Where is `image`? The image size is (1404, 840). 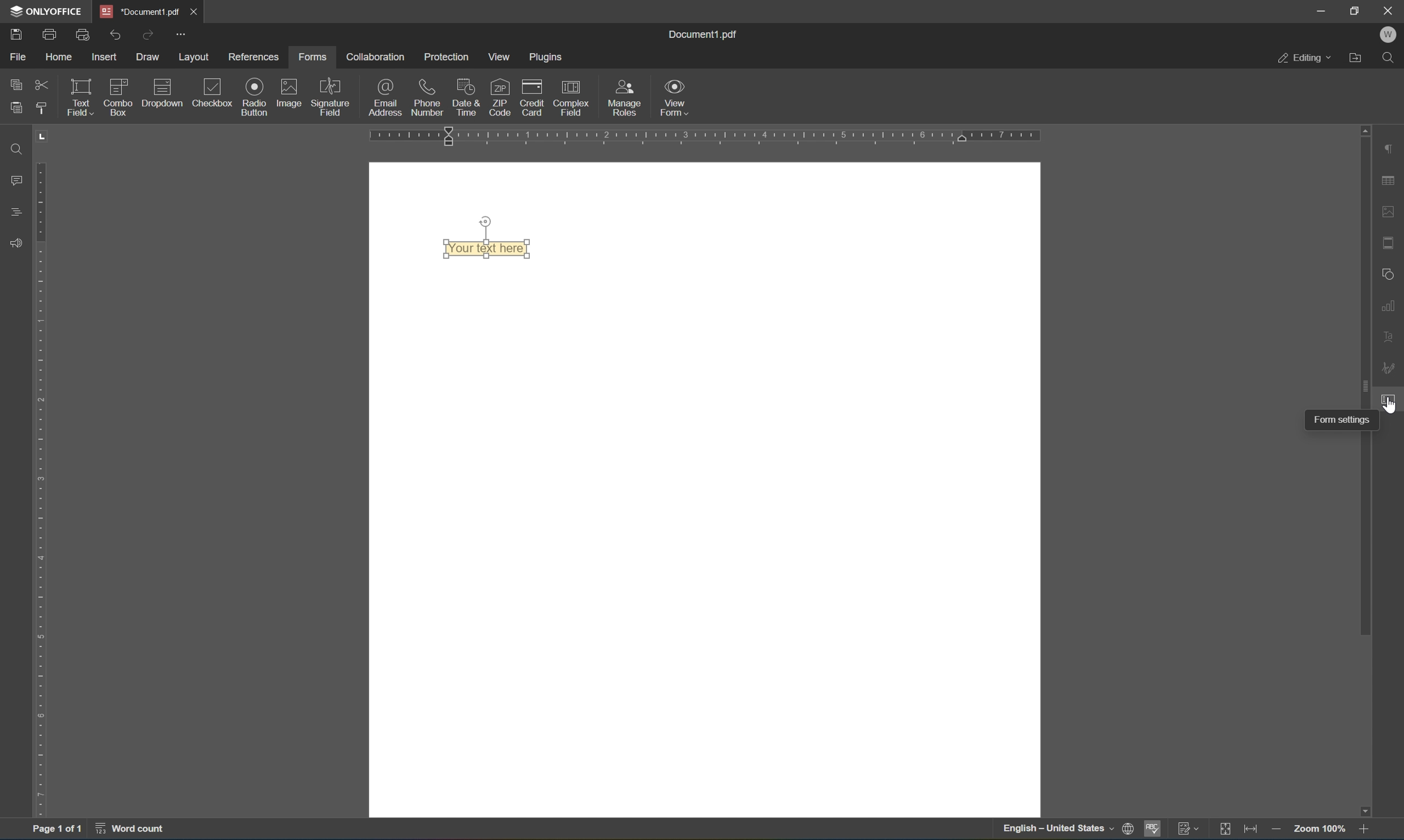
image is located at coordinates (288, 92).